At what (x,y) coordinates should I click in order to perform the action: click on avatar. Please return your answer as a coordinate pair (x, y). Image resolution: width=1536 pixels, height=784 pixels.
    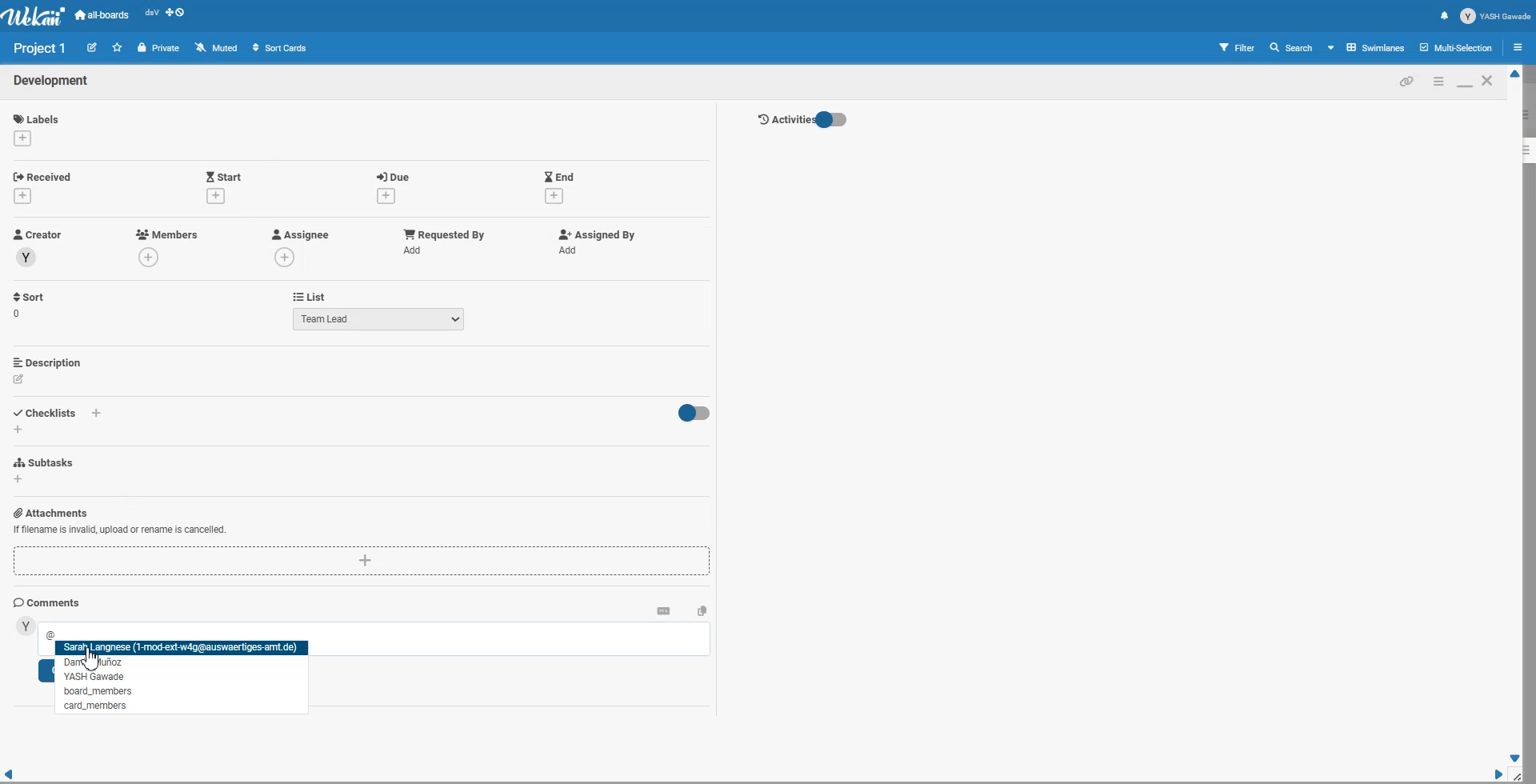
    Looking at the image, I should click on (27, 258).